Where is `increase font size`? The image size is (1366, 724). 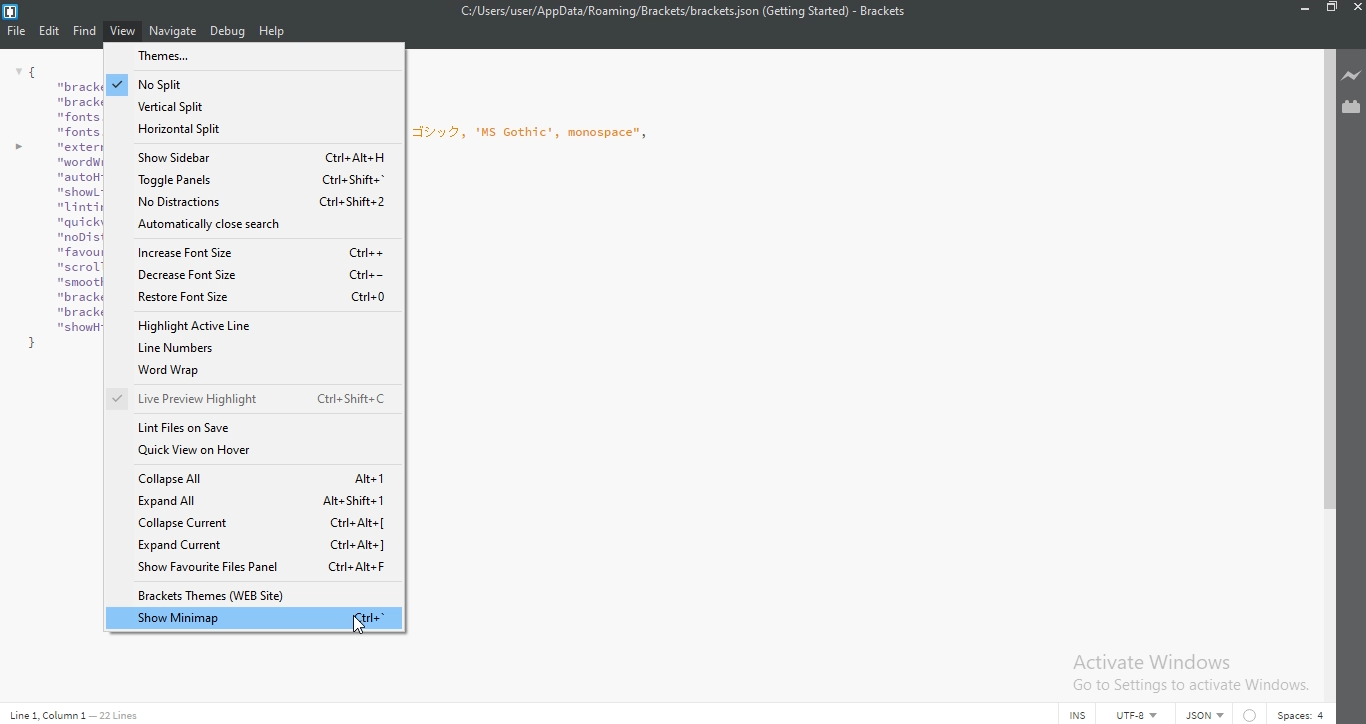 increase font size is located at coordinates (252, 252).